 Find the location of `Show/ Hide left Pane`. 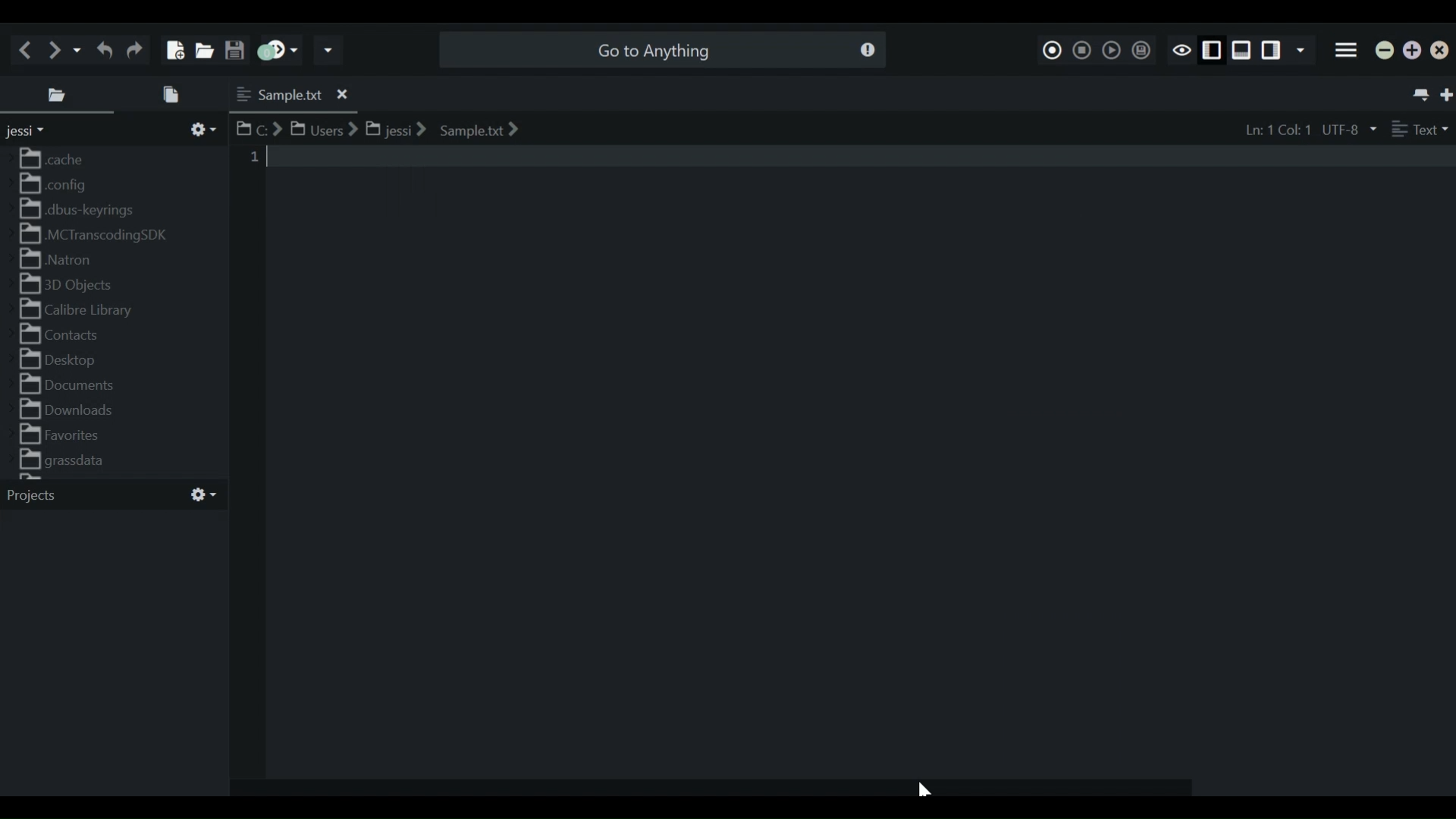

Show/ Hide left Pane is located at coordinates (1272, 50).